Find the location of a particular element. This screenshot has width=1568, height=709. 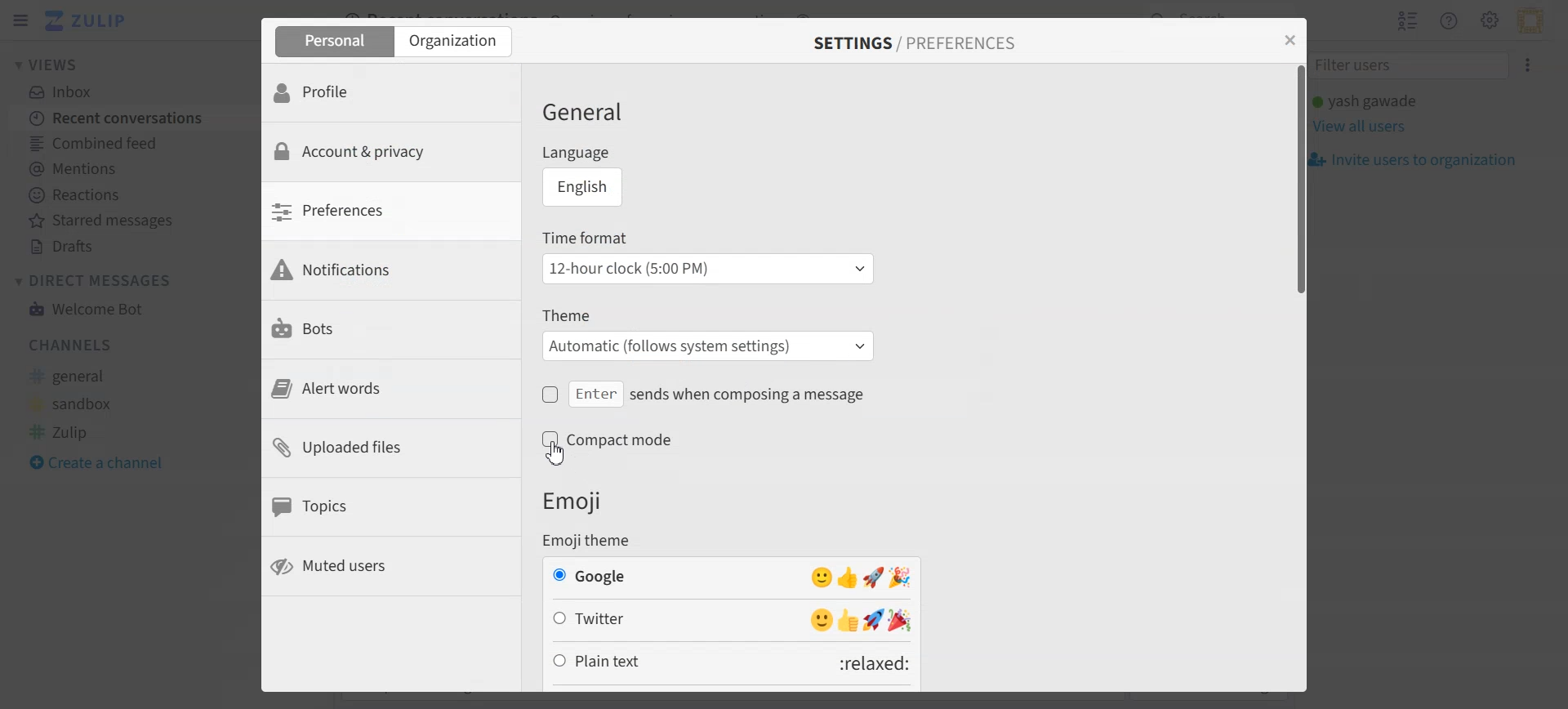

Language is located at coordinates (629, 154).